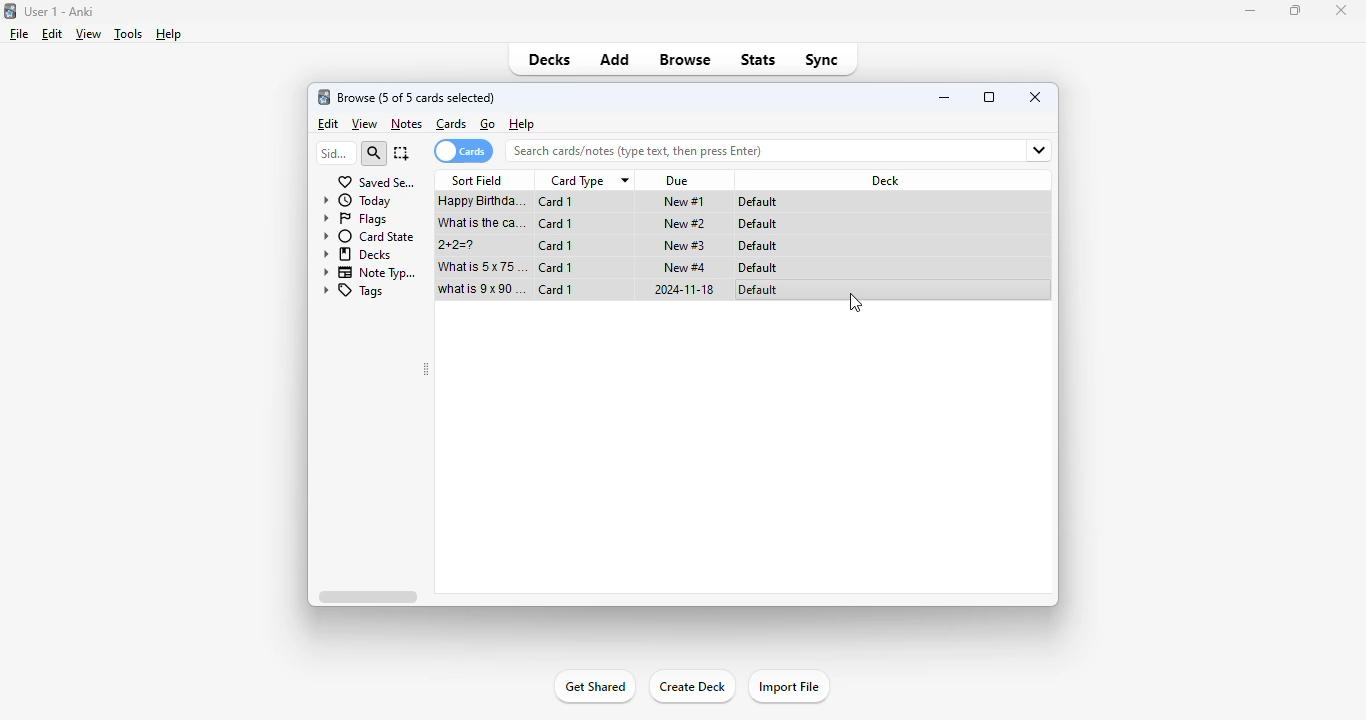  Describe the element at coordinates (451, 124) in the screenshot. I see `cards` at that location.